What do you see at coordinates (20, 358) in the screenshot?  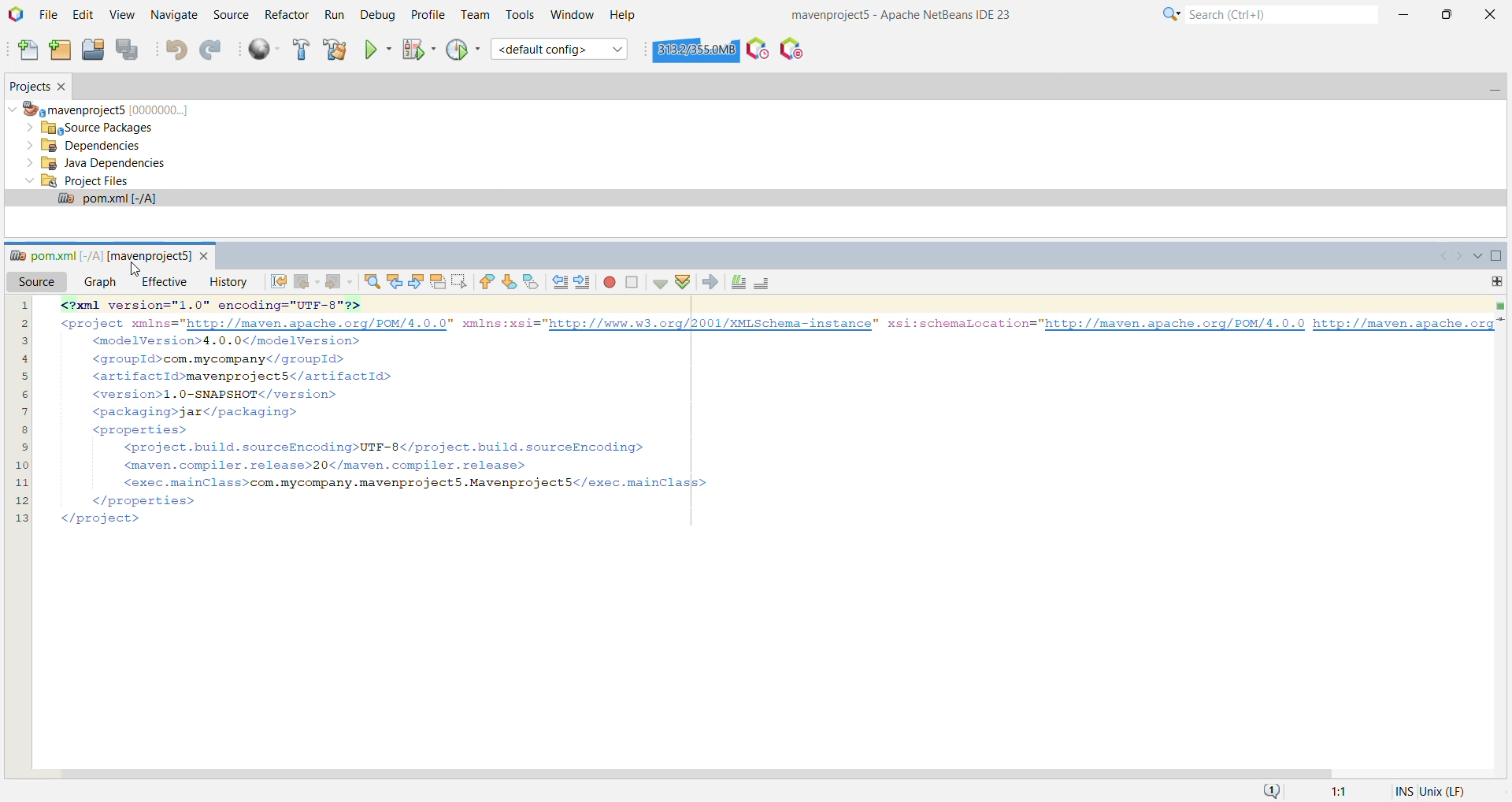 I see `4` at bounding box center [20, 358].